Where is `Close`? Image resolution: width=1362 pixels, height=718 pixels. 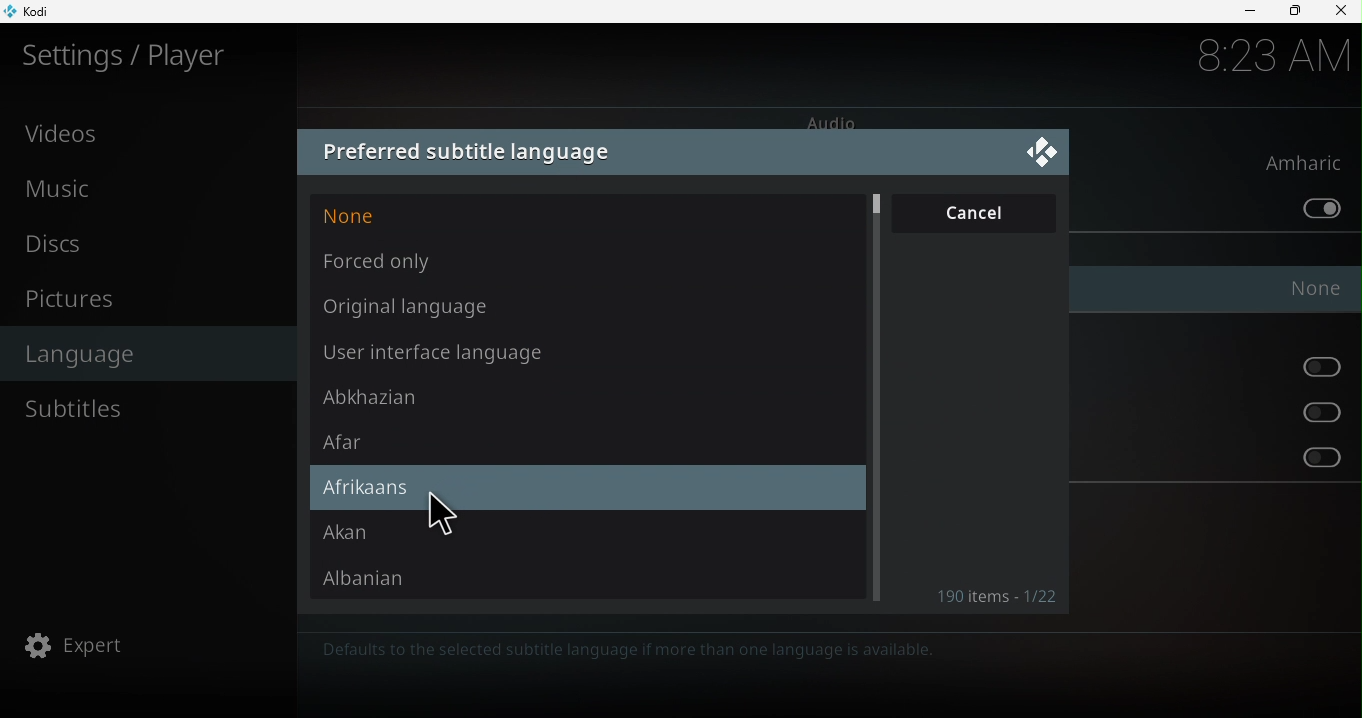 Close is located at coordinates (1041, 149).